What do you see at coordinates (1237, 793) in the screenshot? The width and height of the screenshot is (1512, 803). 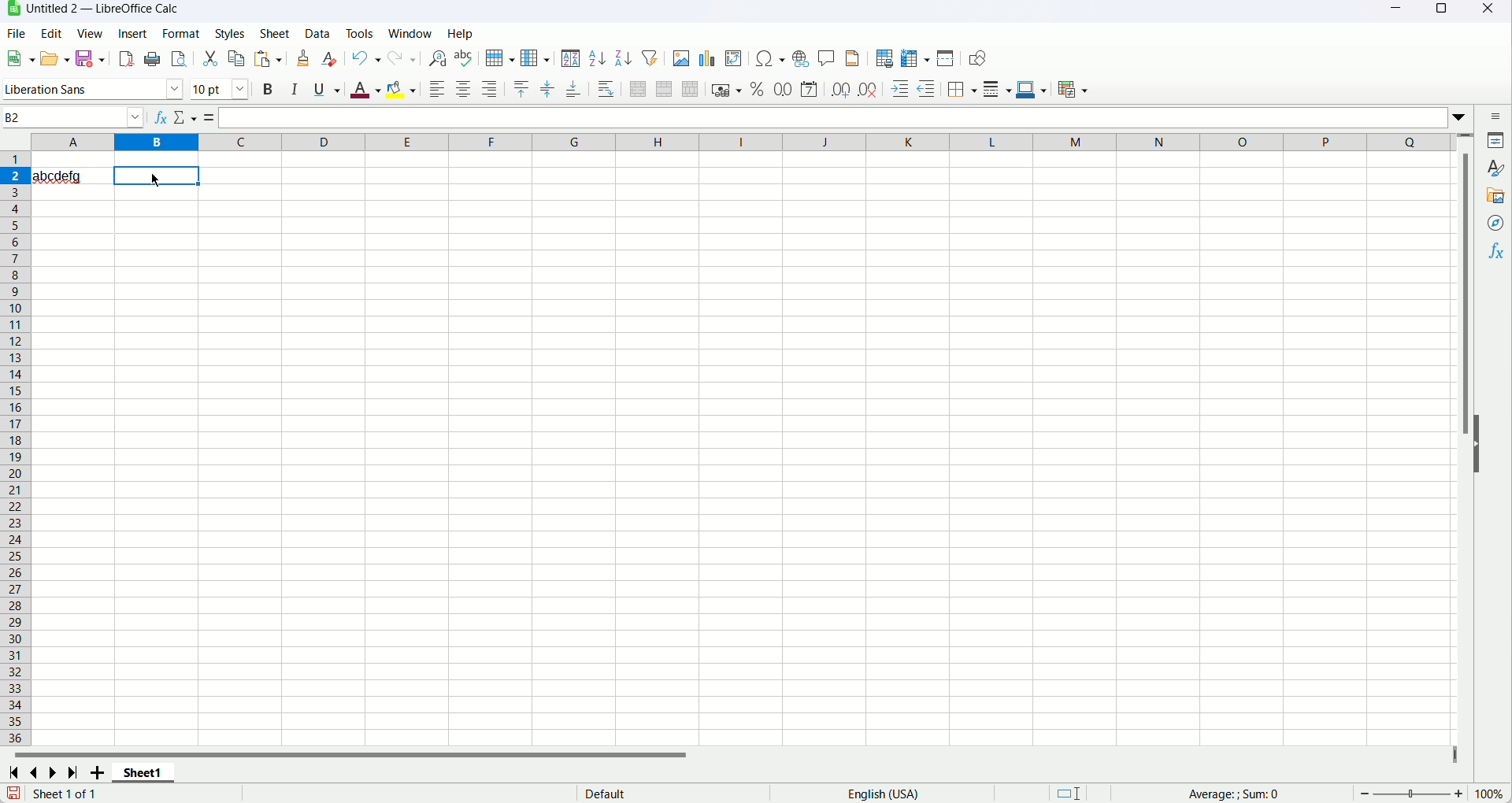 I see `average:; sum:0` at bounding box center [1237, 793].